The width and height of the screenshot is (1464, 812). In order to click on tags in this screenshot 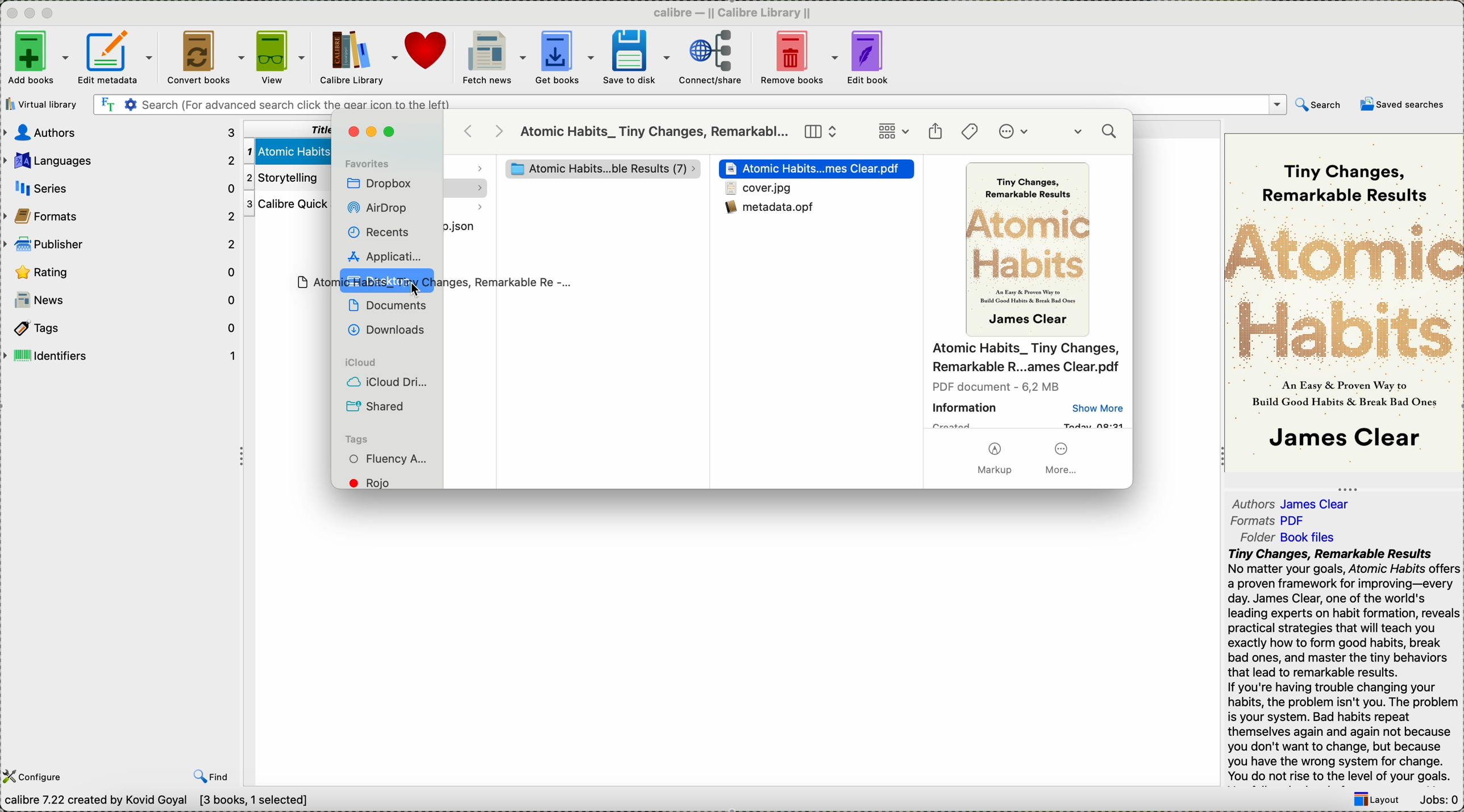, I will do `click(971, 131)`.